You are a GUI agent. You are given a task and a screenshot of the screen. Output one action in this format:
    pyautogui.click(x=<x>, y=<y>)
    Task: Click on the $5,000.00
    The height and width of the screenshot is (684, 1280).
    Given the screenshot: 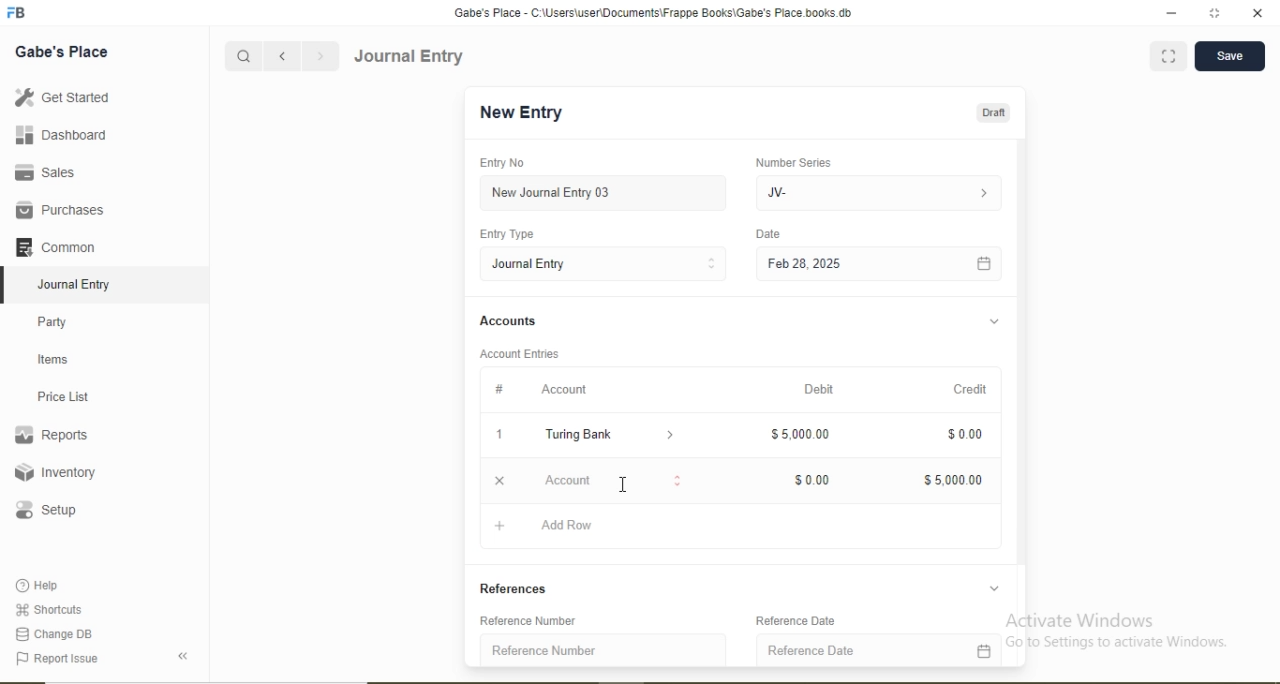 What is the action you would take?
    pyautogui.click(x=800, y=433)
    